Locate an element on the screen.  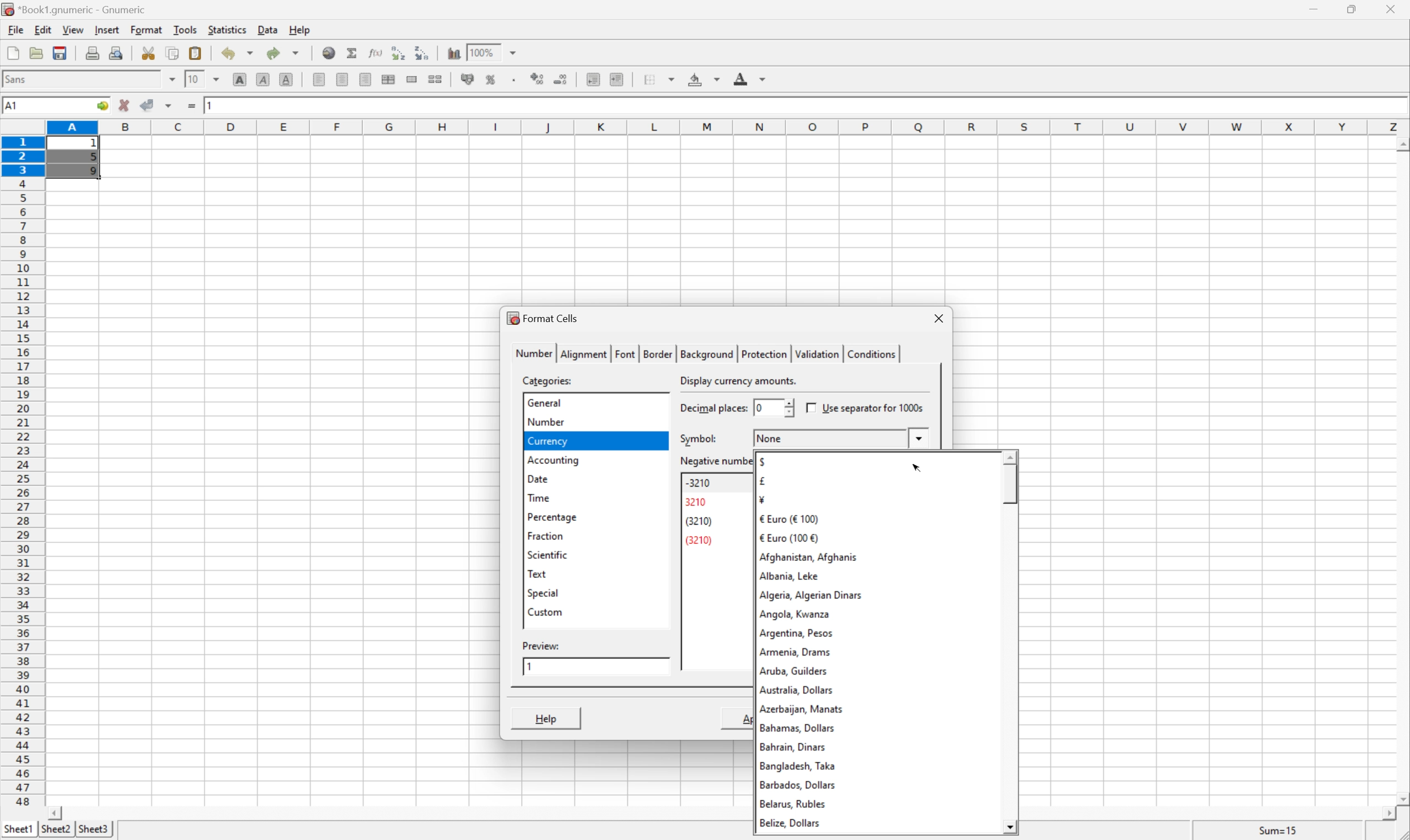
(3210) is located at coordinates (700, 521).